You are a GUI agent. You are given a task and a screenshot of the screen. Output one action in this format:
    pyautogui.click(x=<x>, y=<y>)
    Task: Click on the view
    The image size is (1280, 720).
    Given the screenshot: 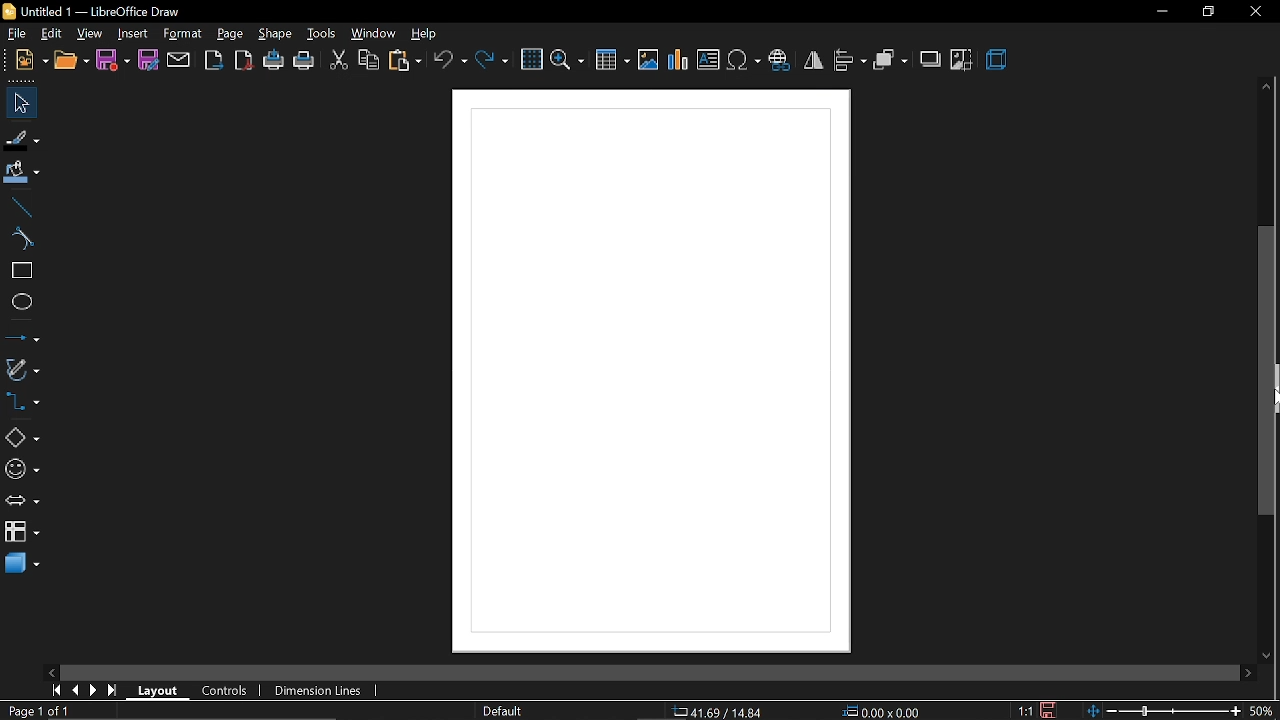 What is the action you would take?
    pyautogui.click(x=88, y=33)
    